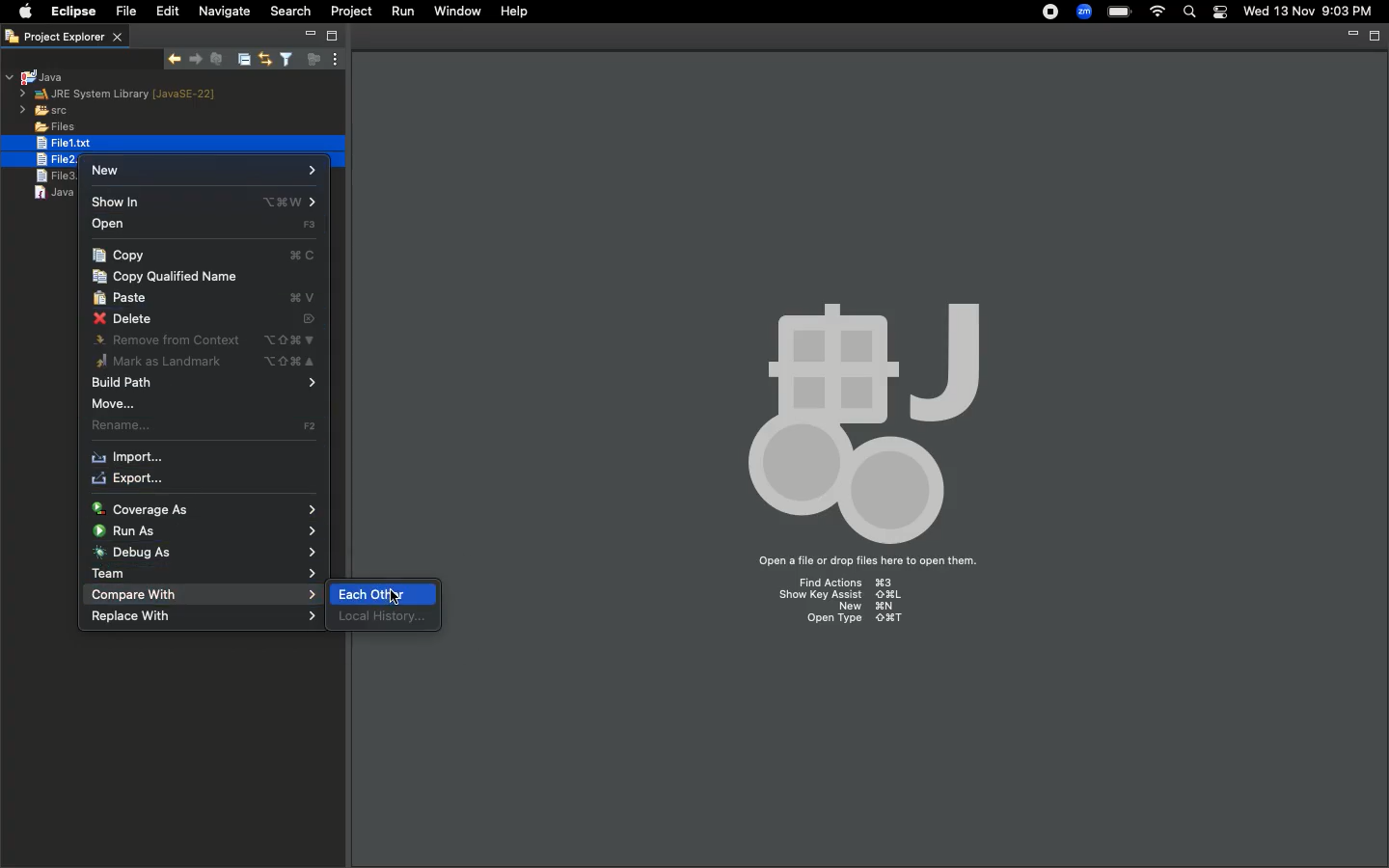 Image resolution: width=1389 pixels, height=868 pixels. I want to click on Run, so click(401, 12).